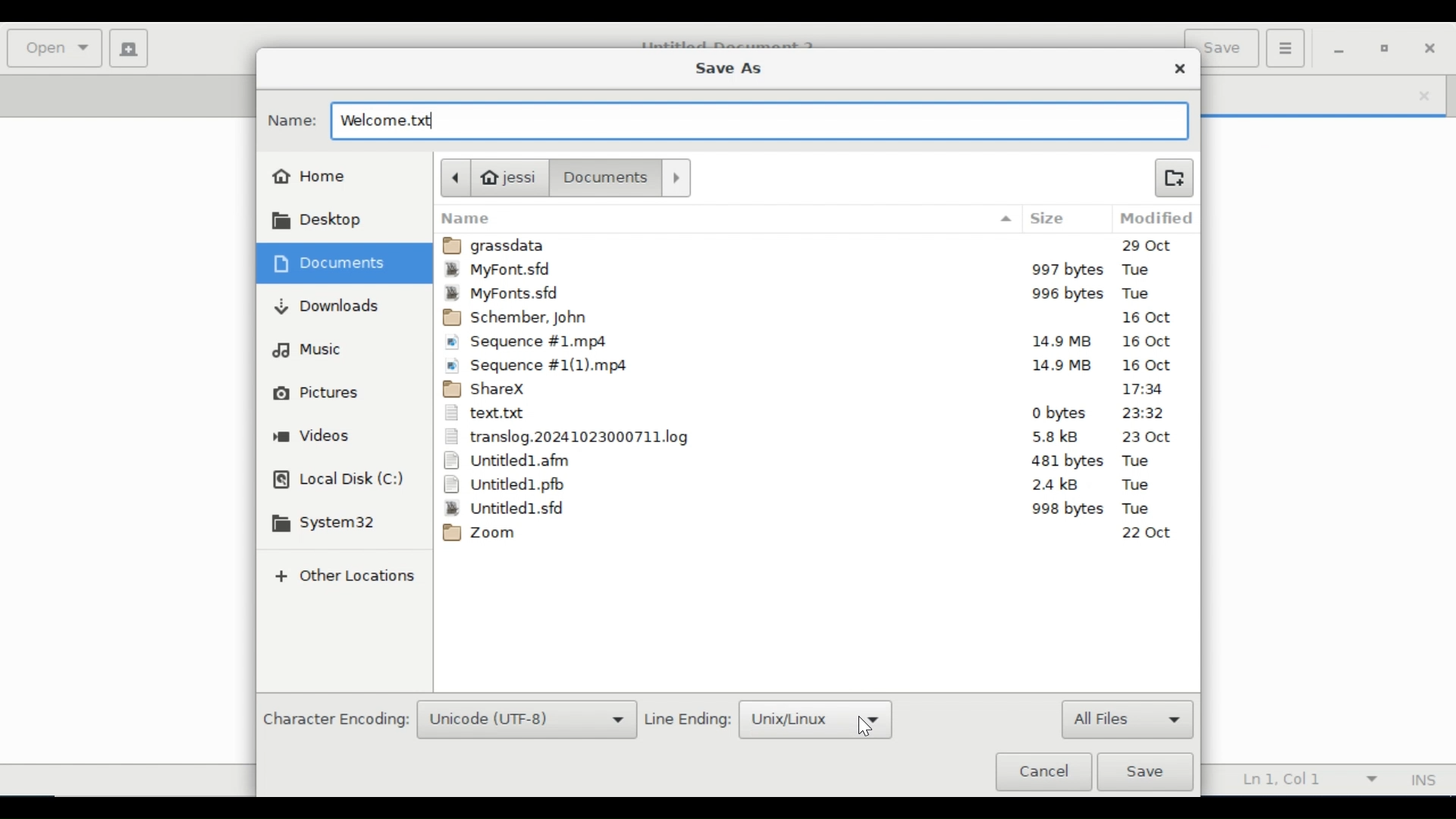  What do you see at coordinates (1181, 69) in the screenshot?
I see `Close` at bounding box center [1181, 69].